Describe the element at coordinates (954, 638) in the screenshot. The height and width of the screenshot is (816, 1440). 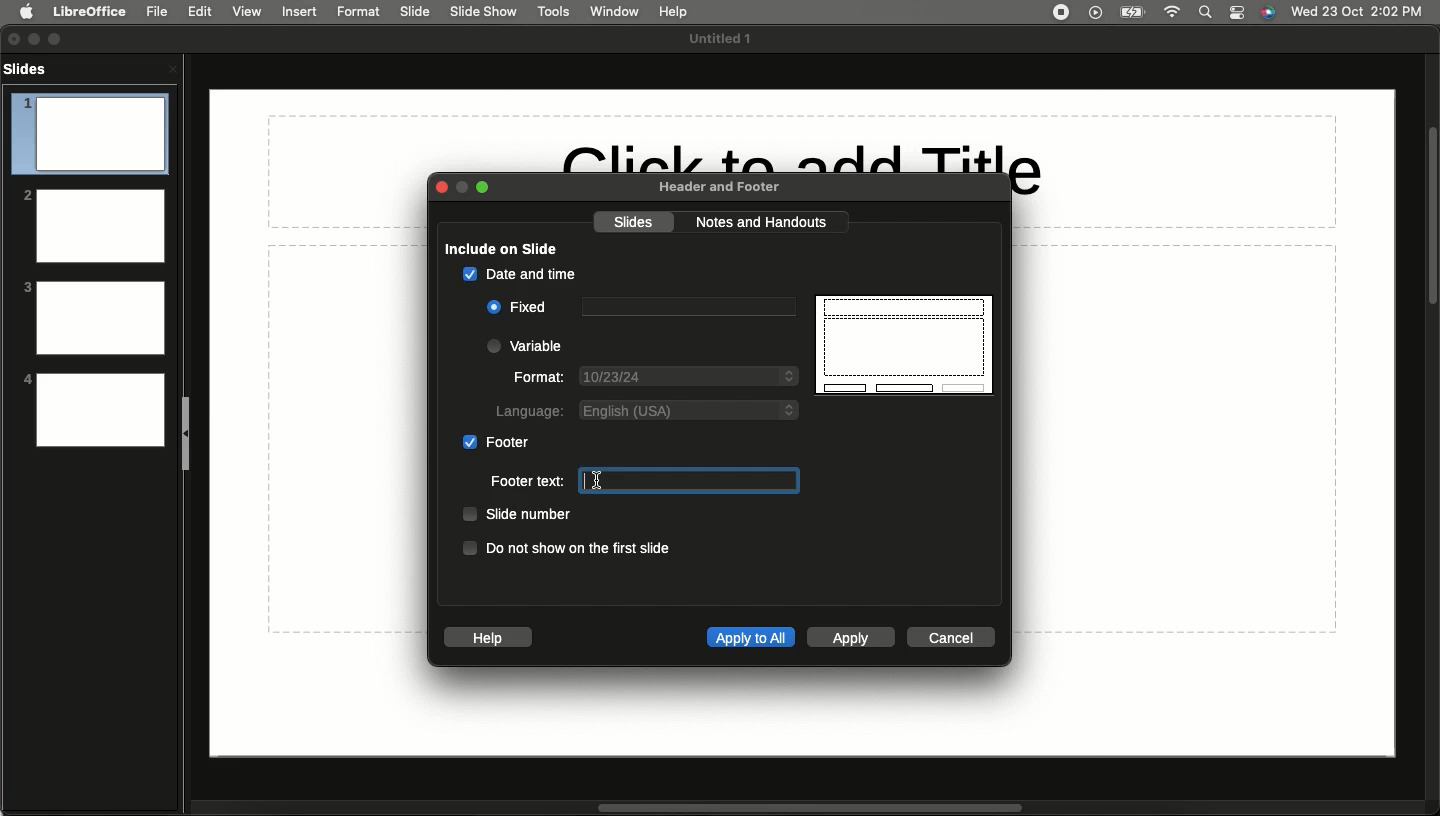
I see `Cancel` at that location.